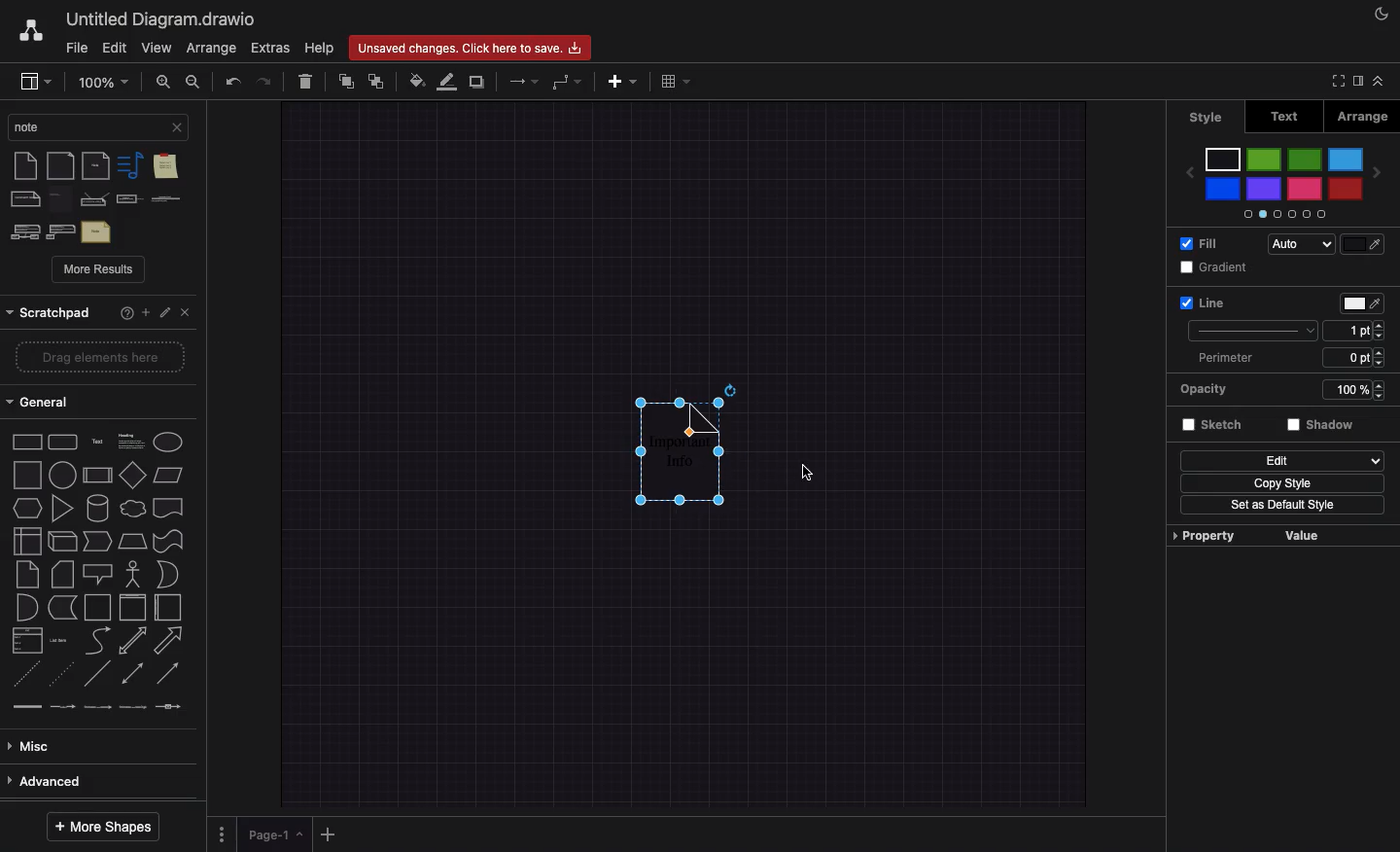 The width and height of the screenshot is (1400, 852). I want to click on searched text: note, so click(85, 125).